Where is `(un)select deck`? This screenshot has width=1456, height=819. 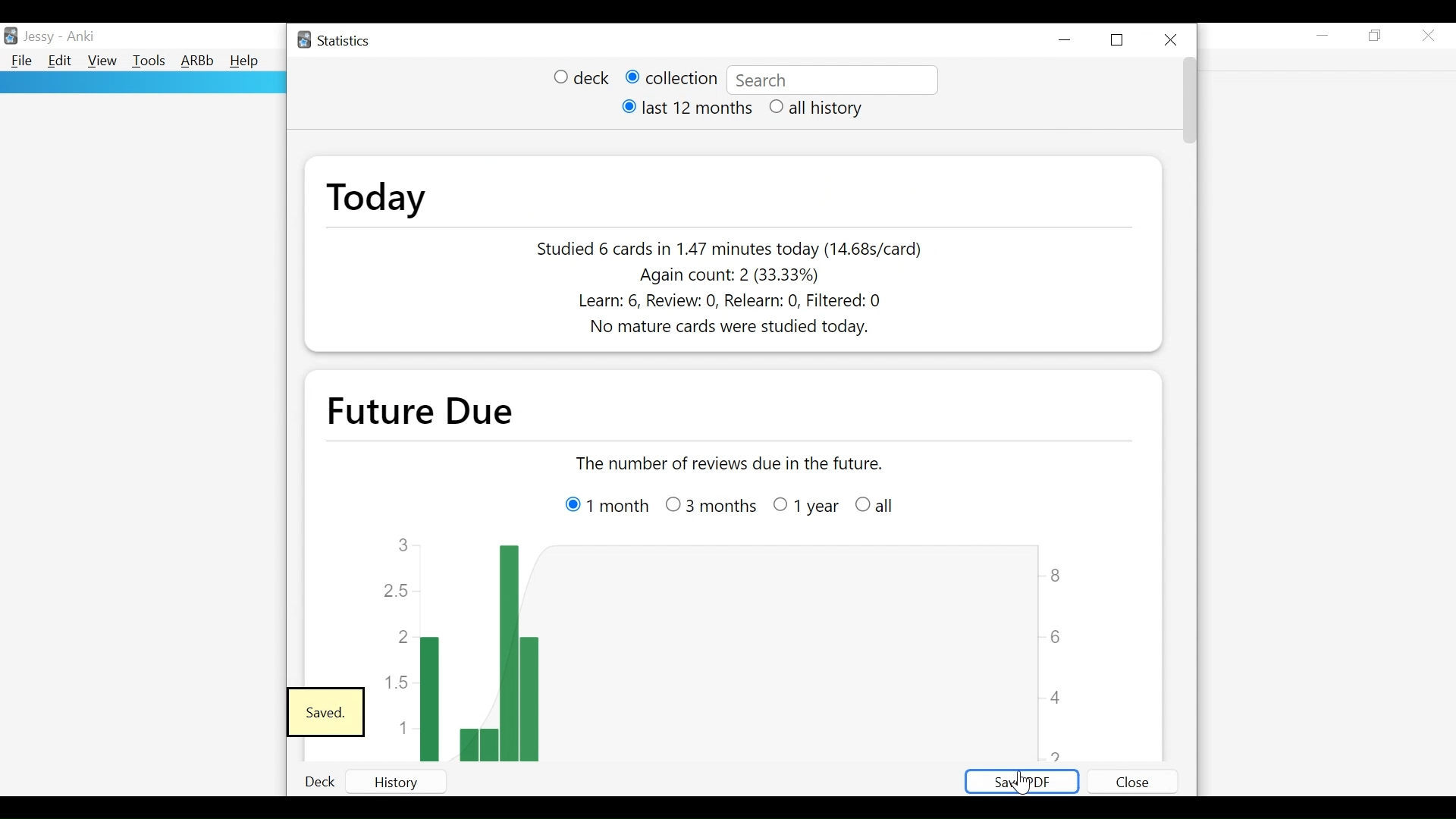
(un)select deck is located at coordinates (581, 79).